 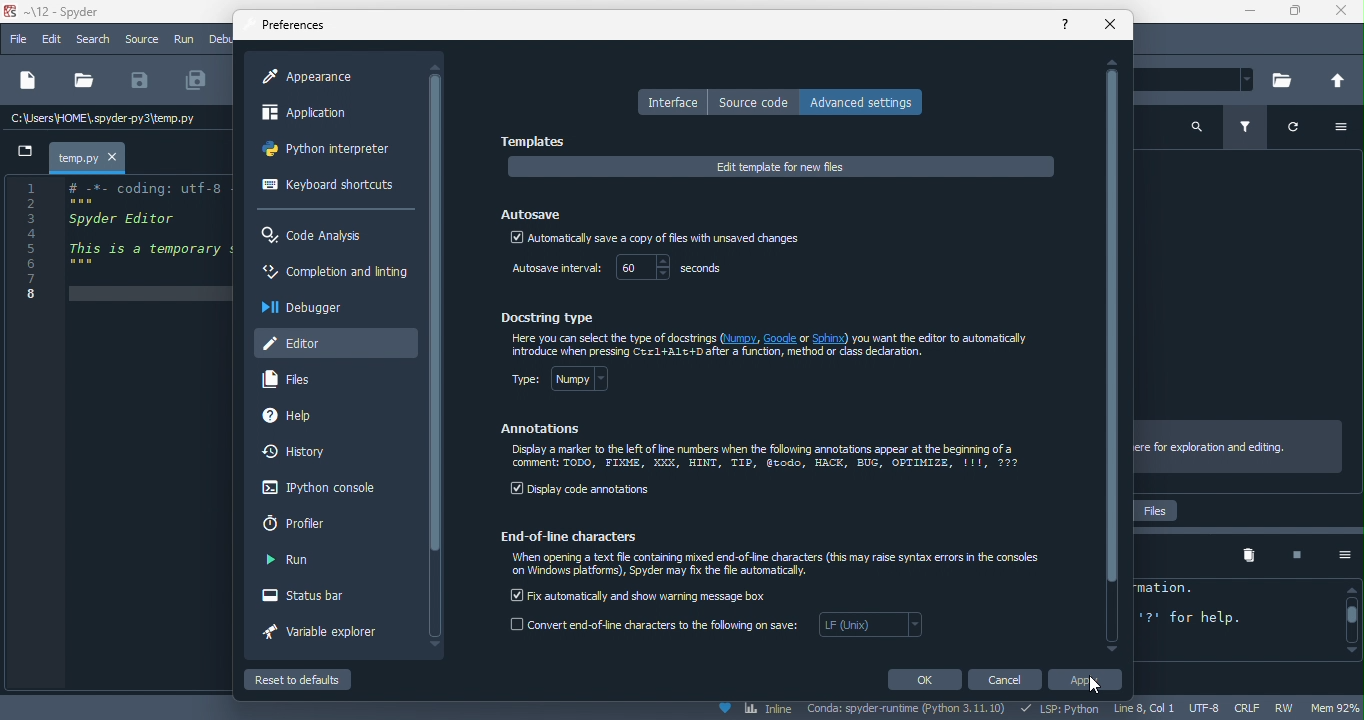 What do you see at coordinates (780, 566) in the screenshot?
I see `text of end of line characters` at bounding box center [780, 566].